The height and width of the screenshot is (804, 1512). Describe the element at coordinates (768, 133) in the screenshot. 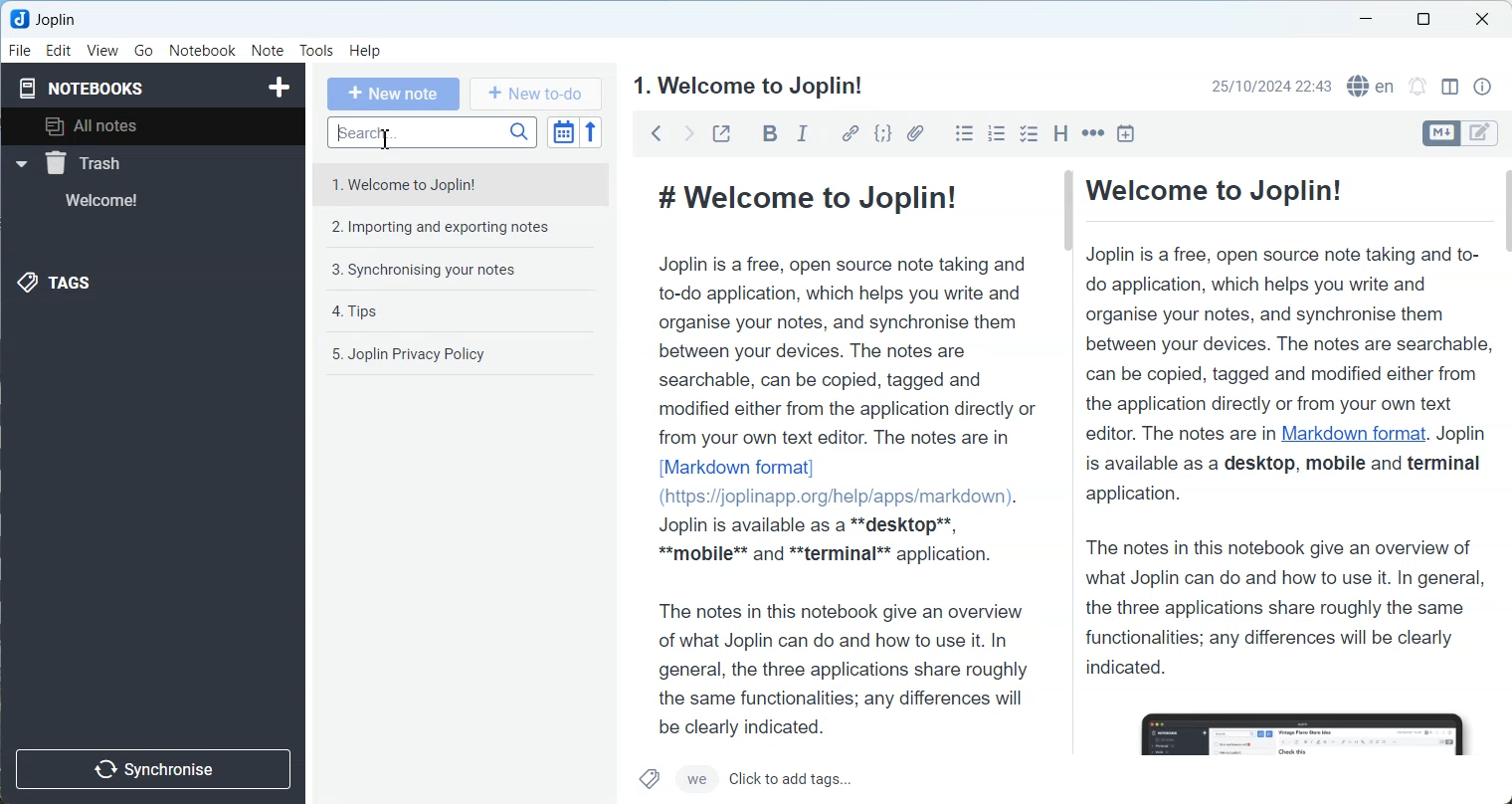

I see `Bold` at that location.